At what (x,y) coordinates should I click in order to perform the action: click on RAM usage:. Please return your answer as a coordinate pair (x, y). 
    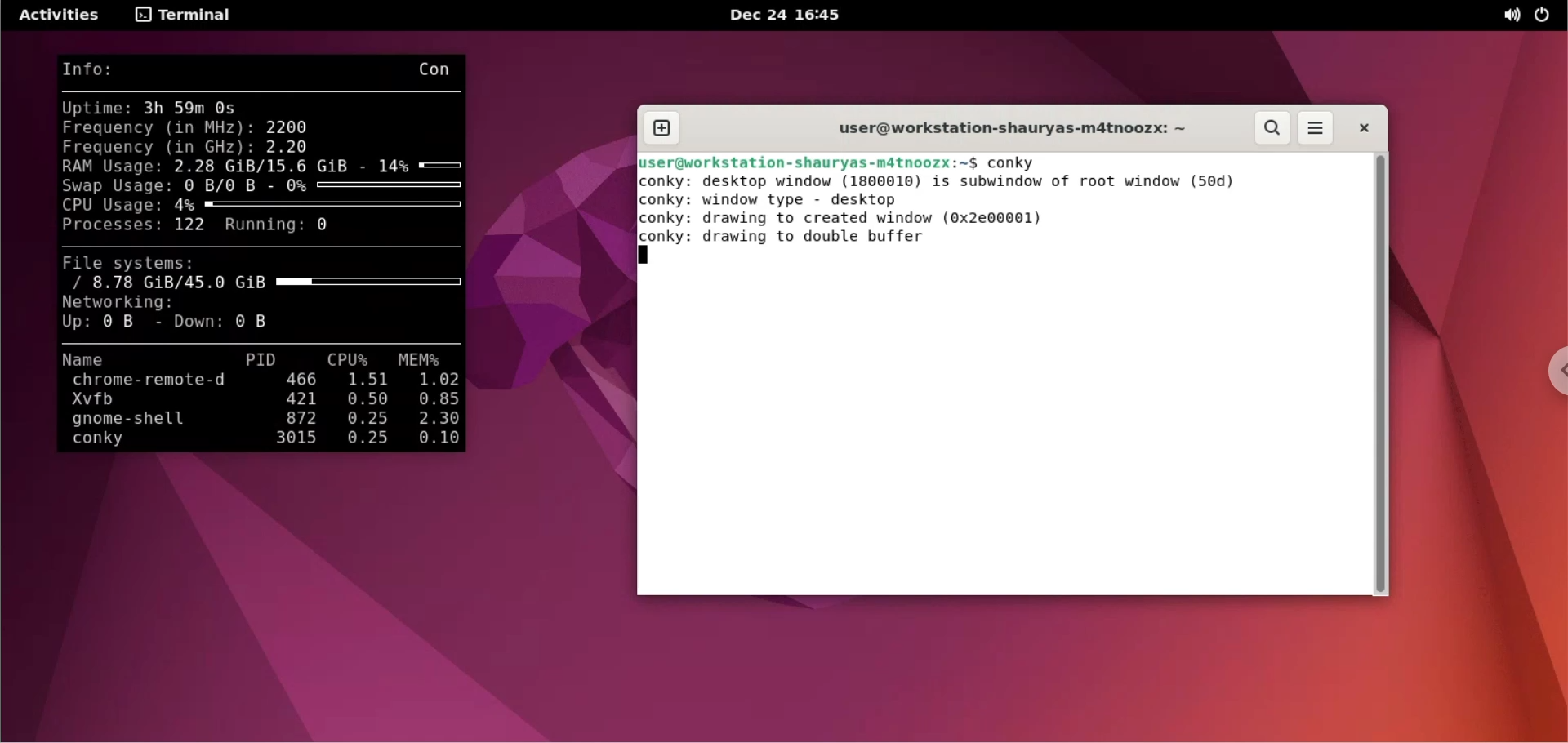
    Looking at the image, I should click on (112, 167).